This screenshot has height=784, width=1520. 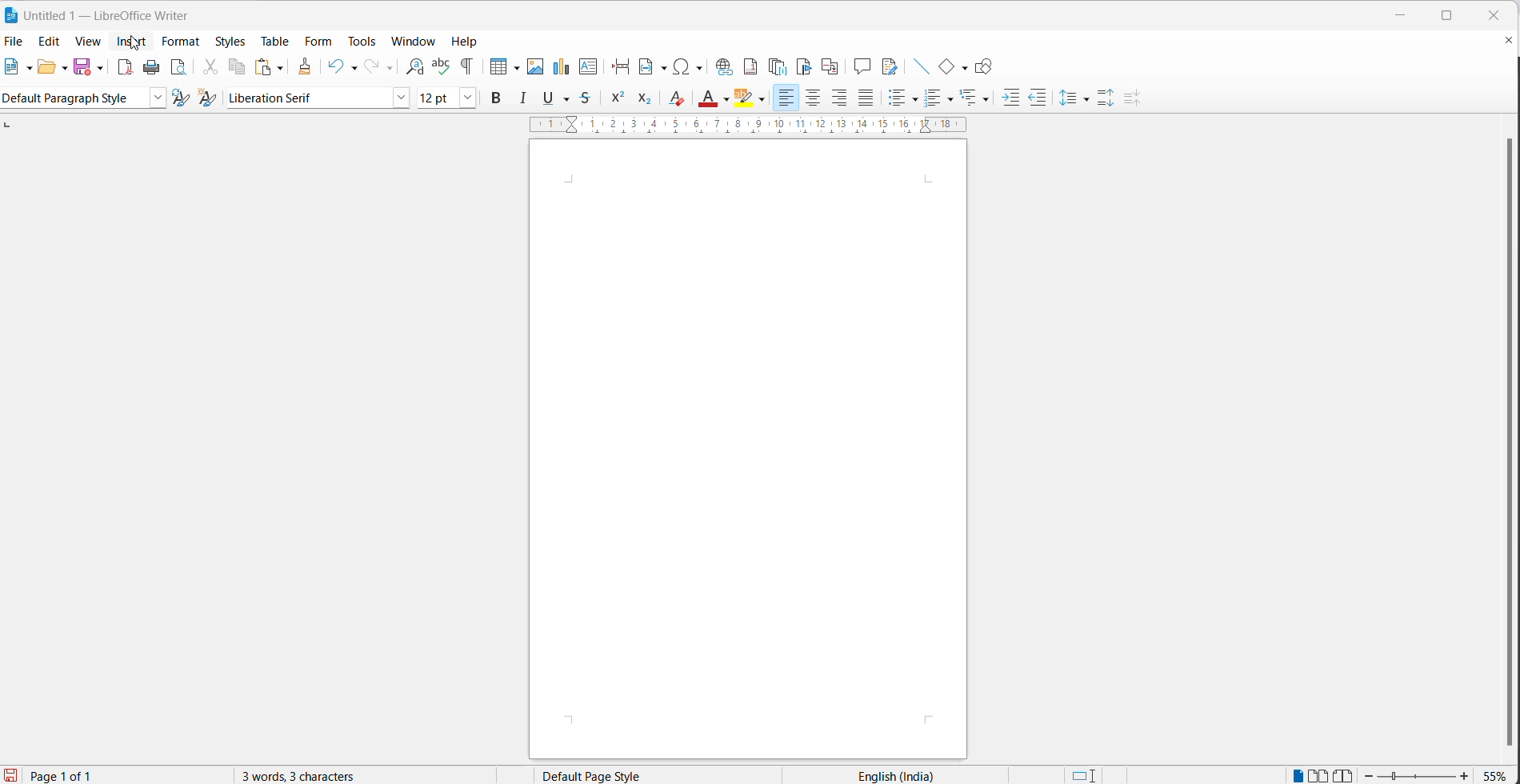 I want to click on select outline format, so click(x=976, y=99).